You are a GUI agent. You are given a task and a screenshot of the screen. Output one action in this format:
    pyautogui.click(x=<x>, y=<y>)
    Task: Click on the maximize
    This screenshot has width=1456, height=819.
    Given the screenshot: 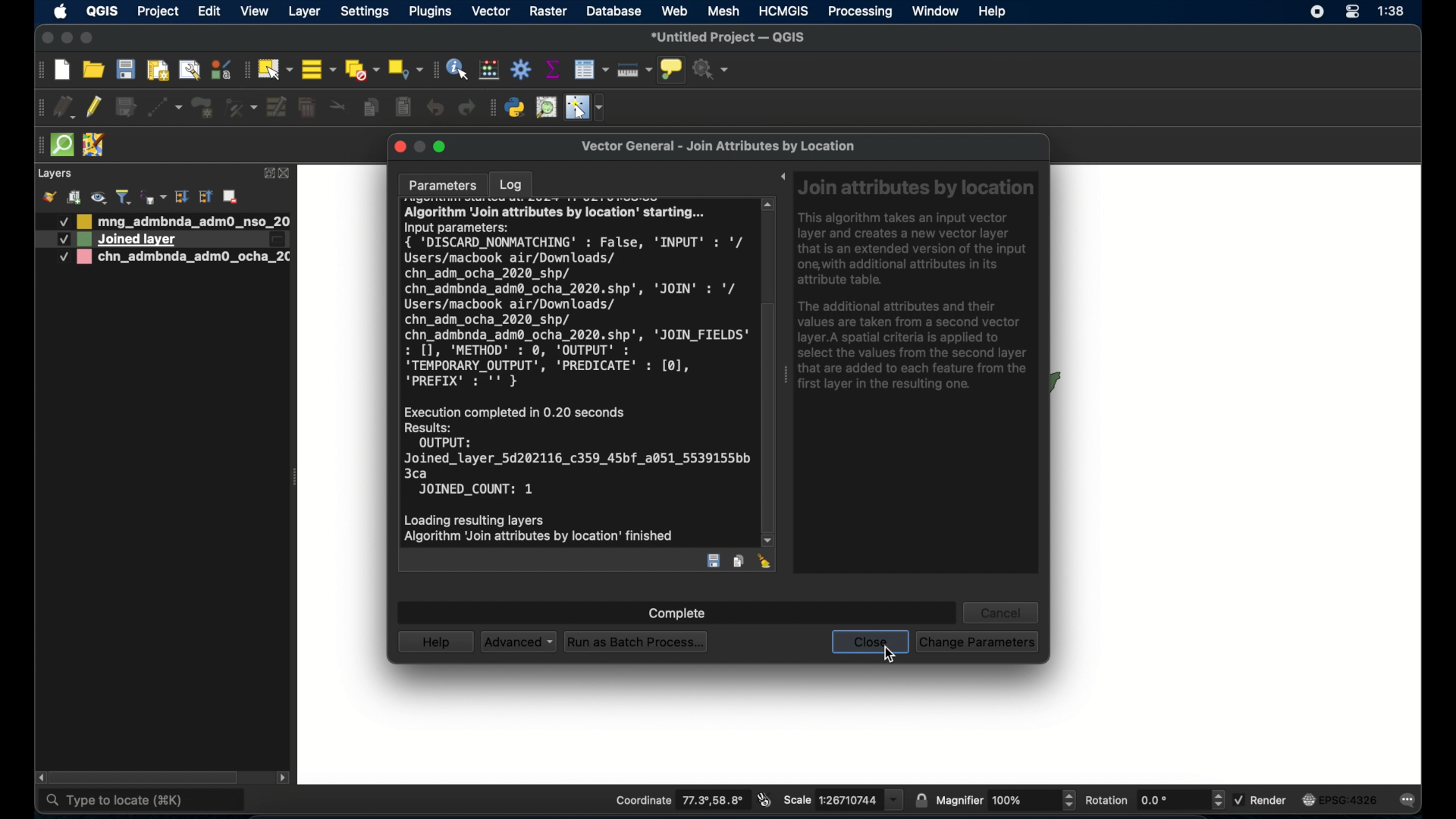 What is the action you would take?
    pyautogui.click(x=442, y=148)
    